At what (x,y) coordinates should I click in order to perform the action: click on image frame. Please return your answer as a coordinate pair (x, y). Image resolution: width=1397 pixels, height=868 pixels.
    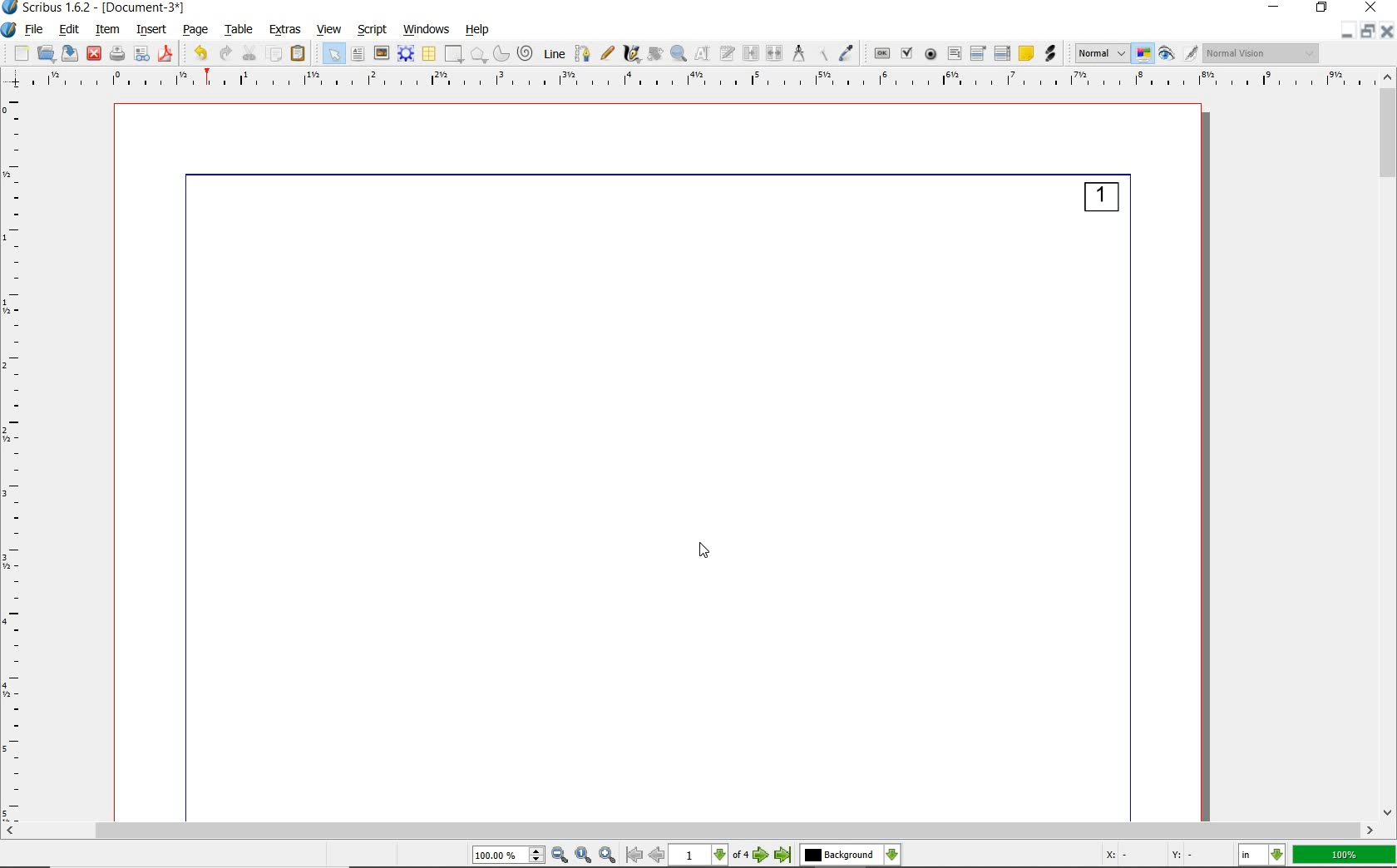
    Looking at the image, I should click on (380, 52).